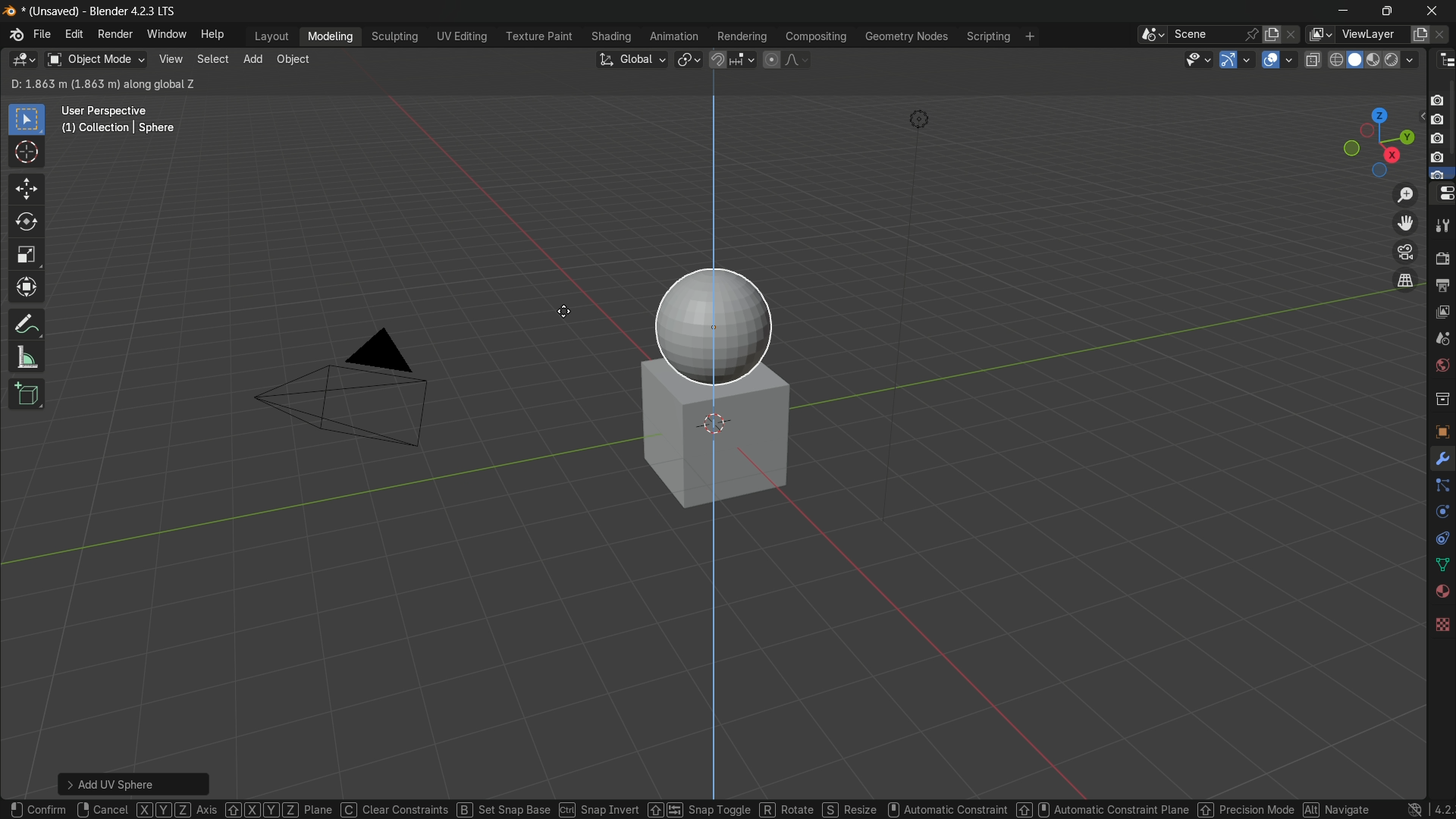 The width and height of the screenshot is (1456, 819). I want to click on Modifiers Tab, so click(1442, 459).